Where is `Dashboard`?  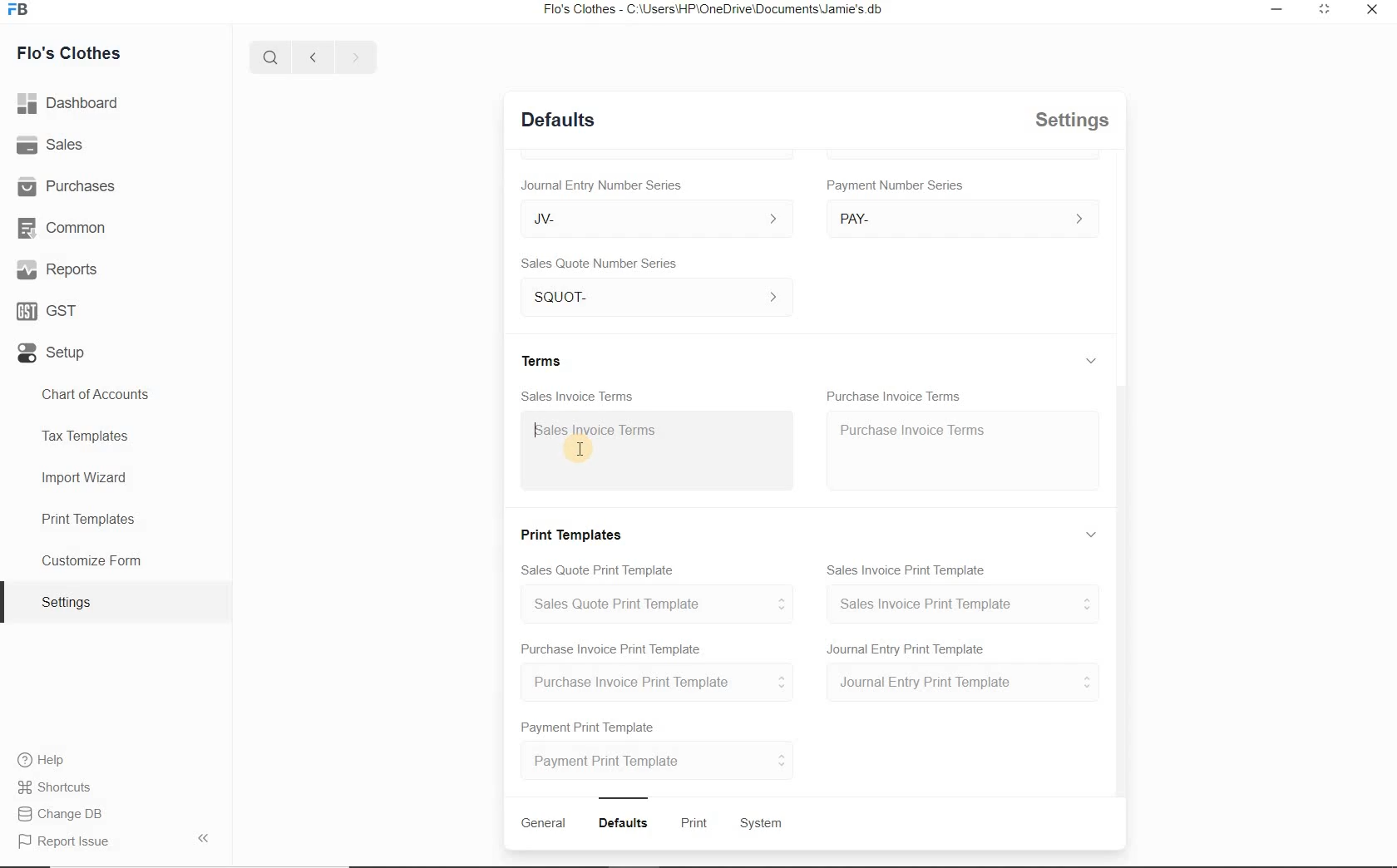
Dashboard is located at coordinates (72, 105).